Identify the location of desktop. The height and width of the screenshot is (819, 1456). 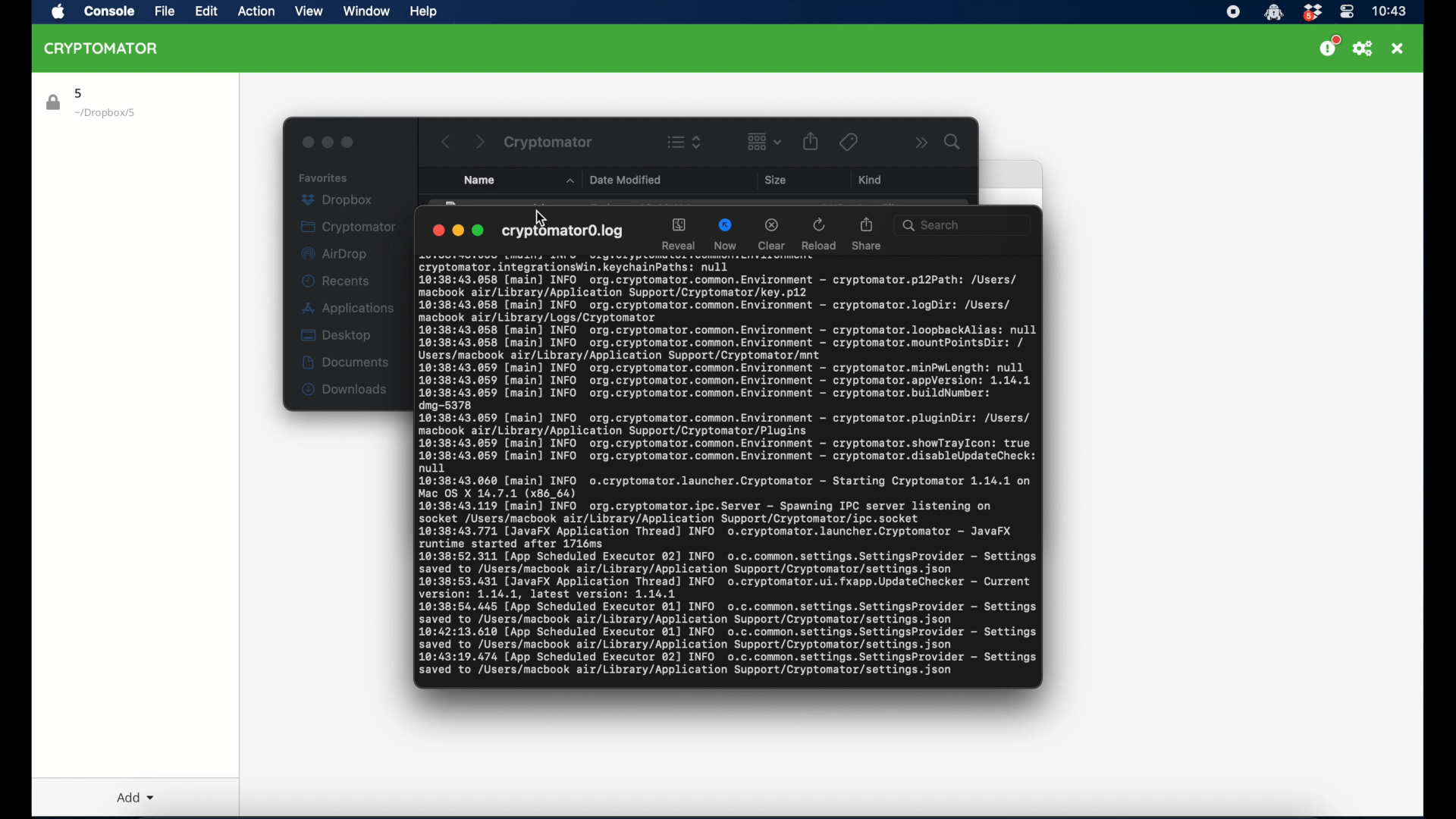
(336, 335).